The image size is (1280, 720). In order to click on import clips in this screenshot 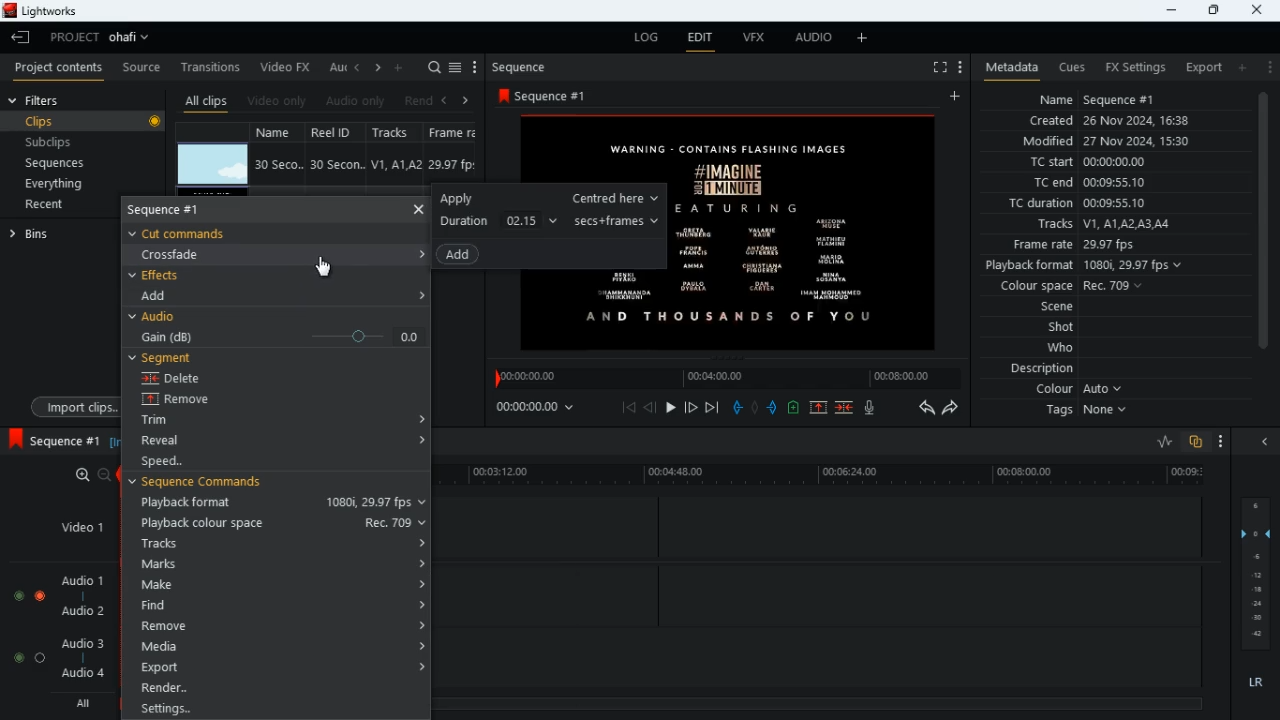, I will do `click(71, 406)`.